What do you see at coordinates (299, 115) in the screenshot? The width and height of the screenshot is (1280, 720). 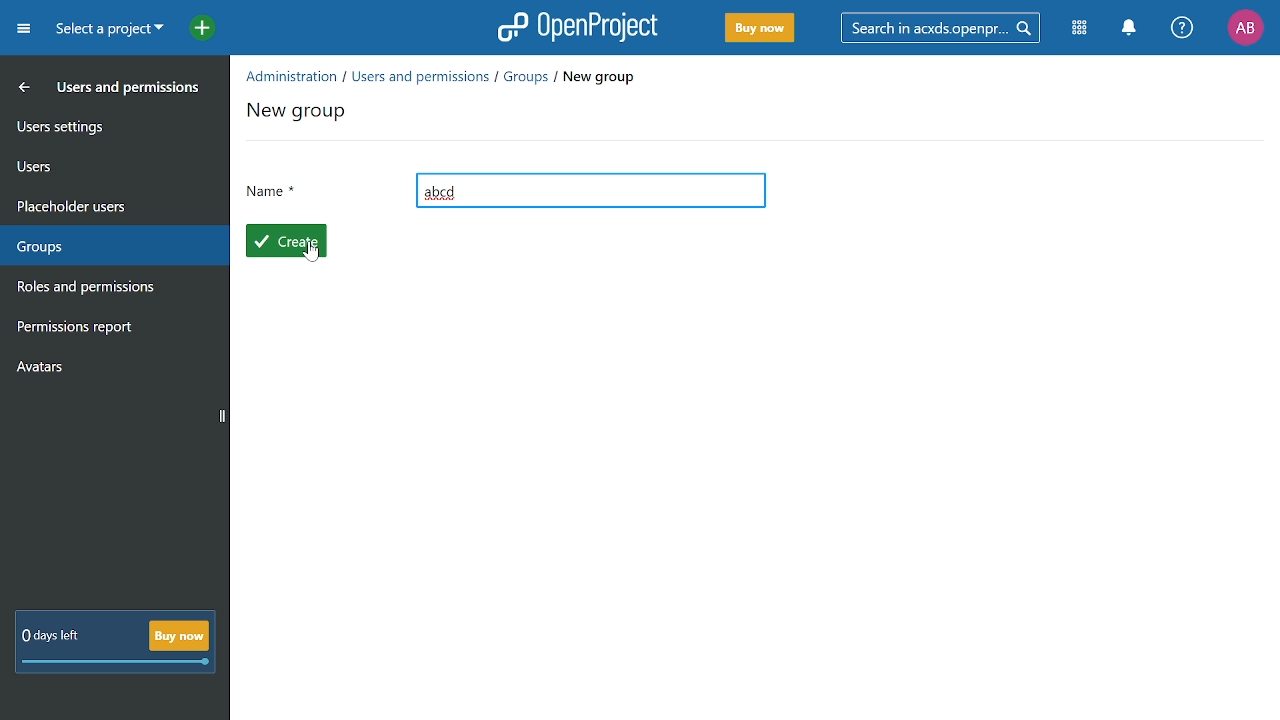 I see `New group` at bounding box center [299, 115].